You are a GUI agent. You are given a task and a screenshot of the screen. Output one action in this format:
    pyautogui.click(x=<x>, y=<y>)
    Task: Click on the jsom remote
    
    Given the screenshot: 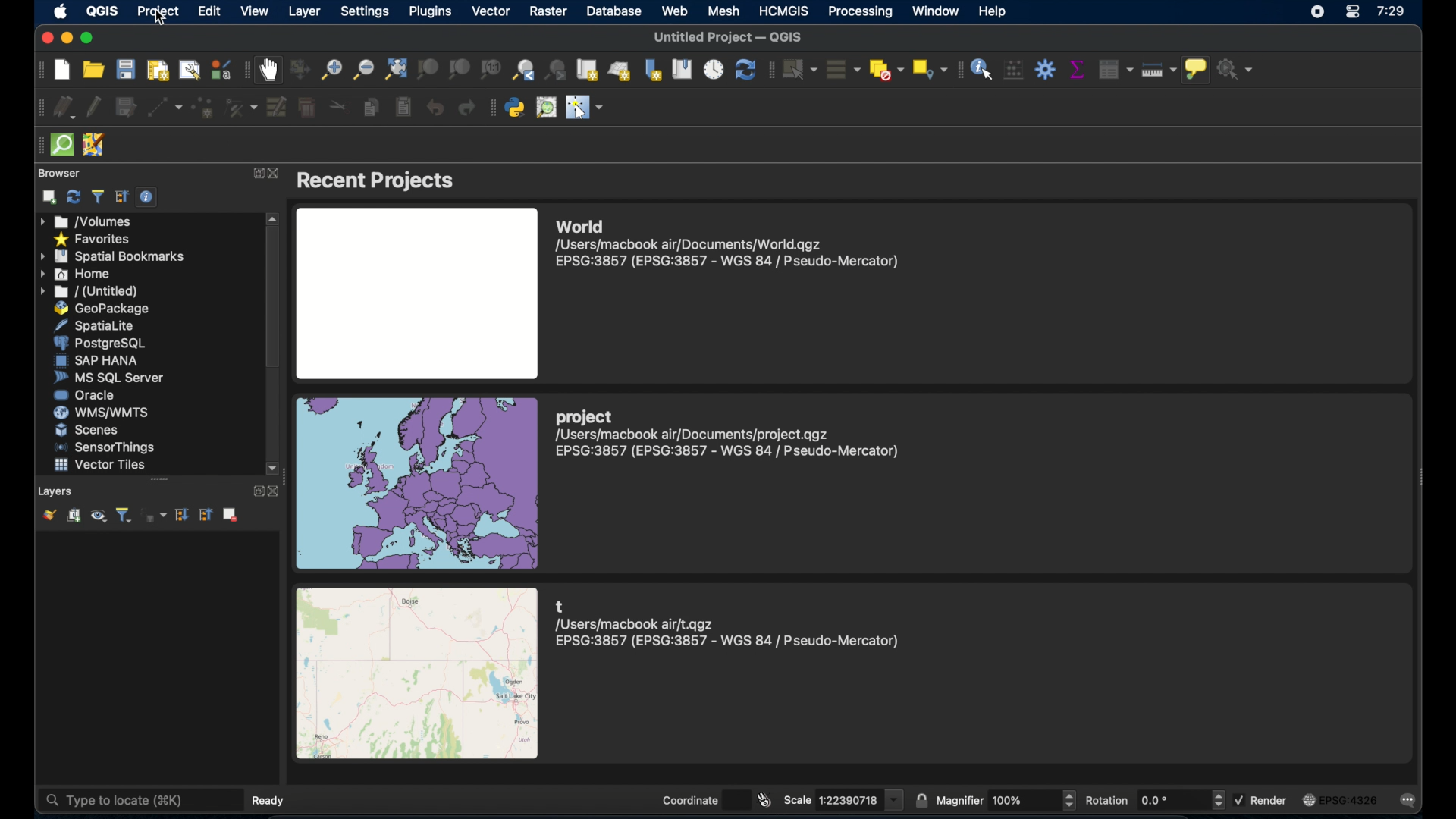 What is the action you would take?
    pyautogui.click(x=93, y=146)
    